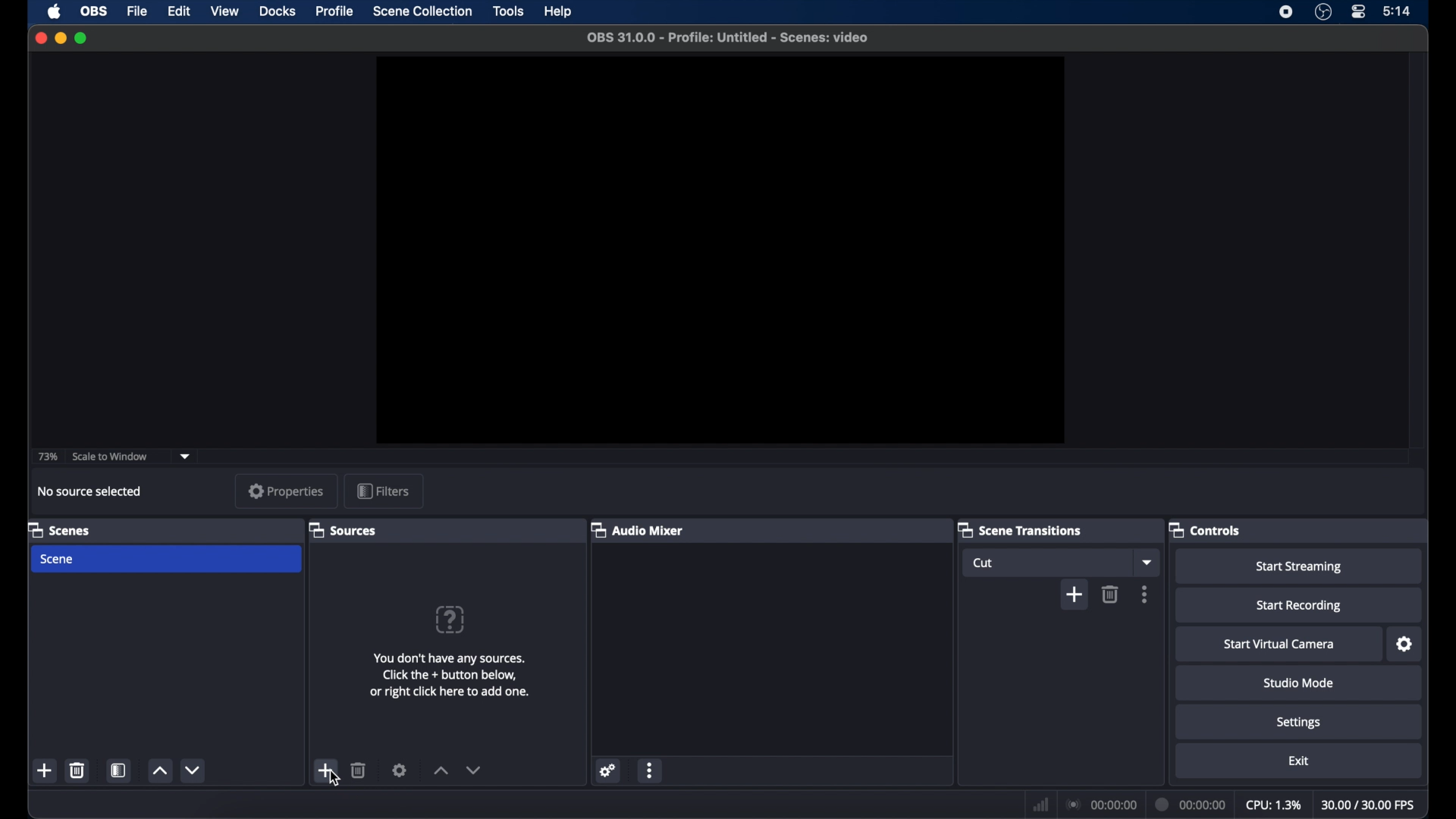 This screenshot has width=1456, height=819. I want to click on apple icon, so click(55, 11).